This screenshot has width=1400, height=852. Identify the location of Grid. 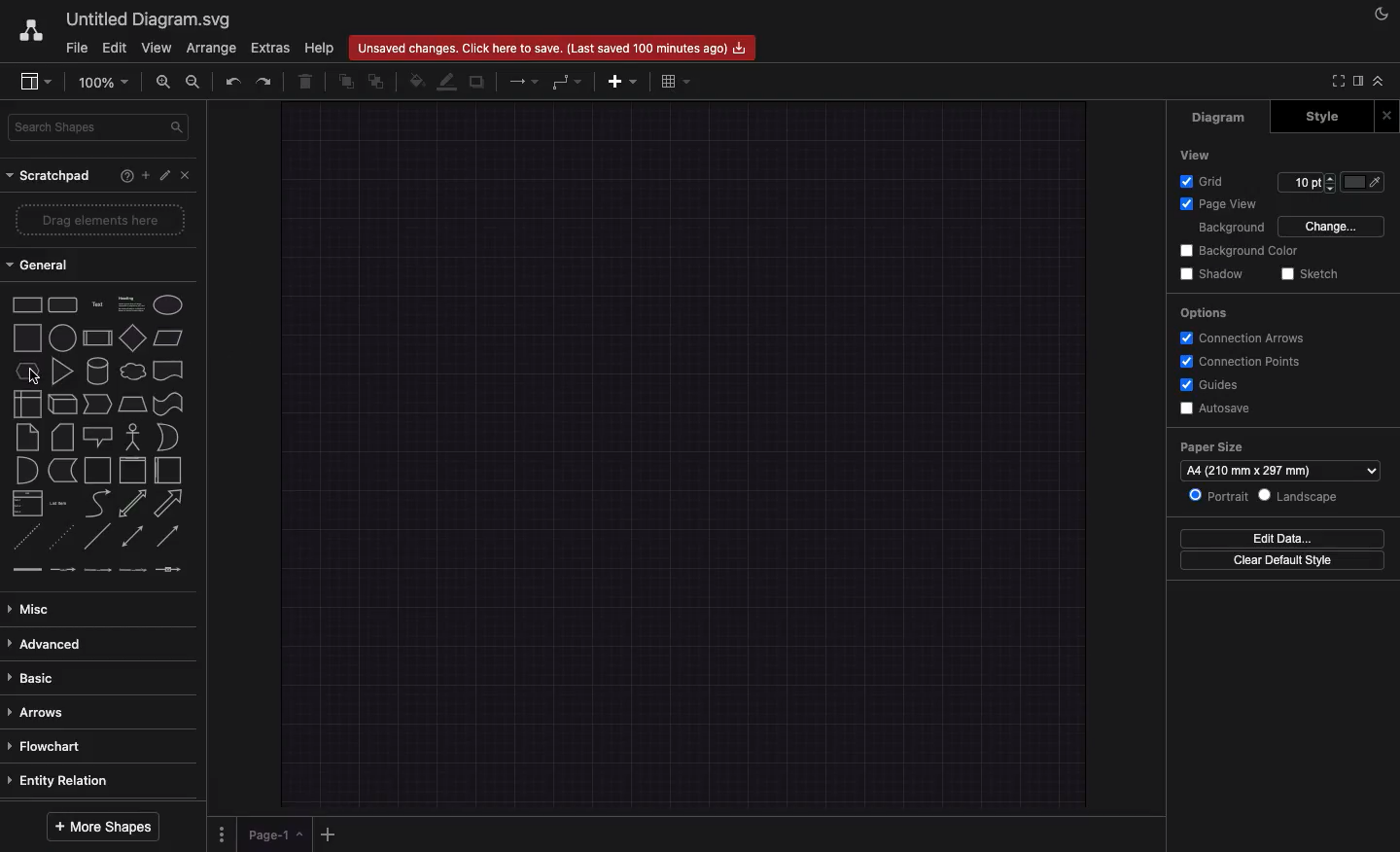
(1204, 178).